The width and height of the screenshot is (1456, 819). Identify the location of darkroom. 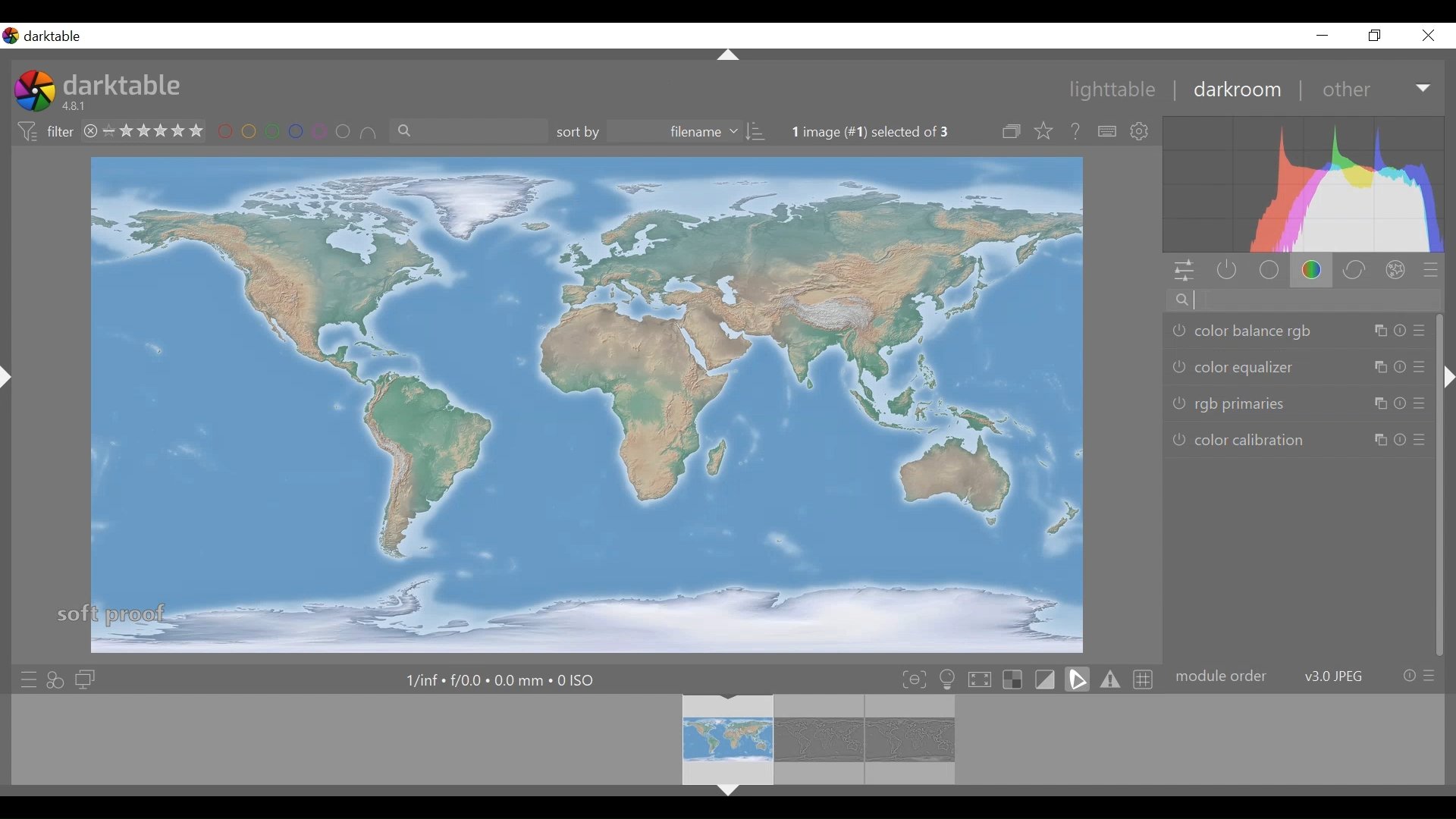
(1238, 91).